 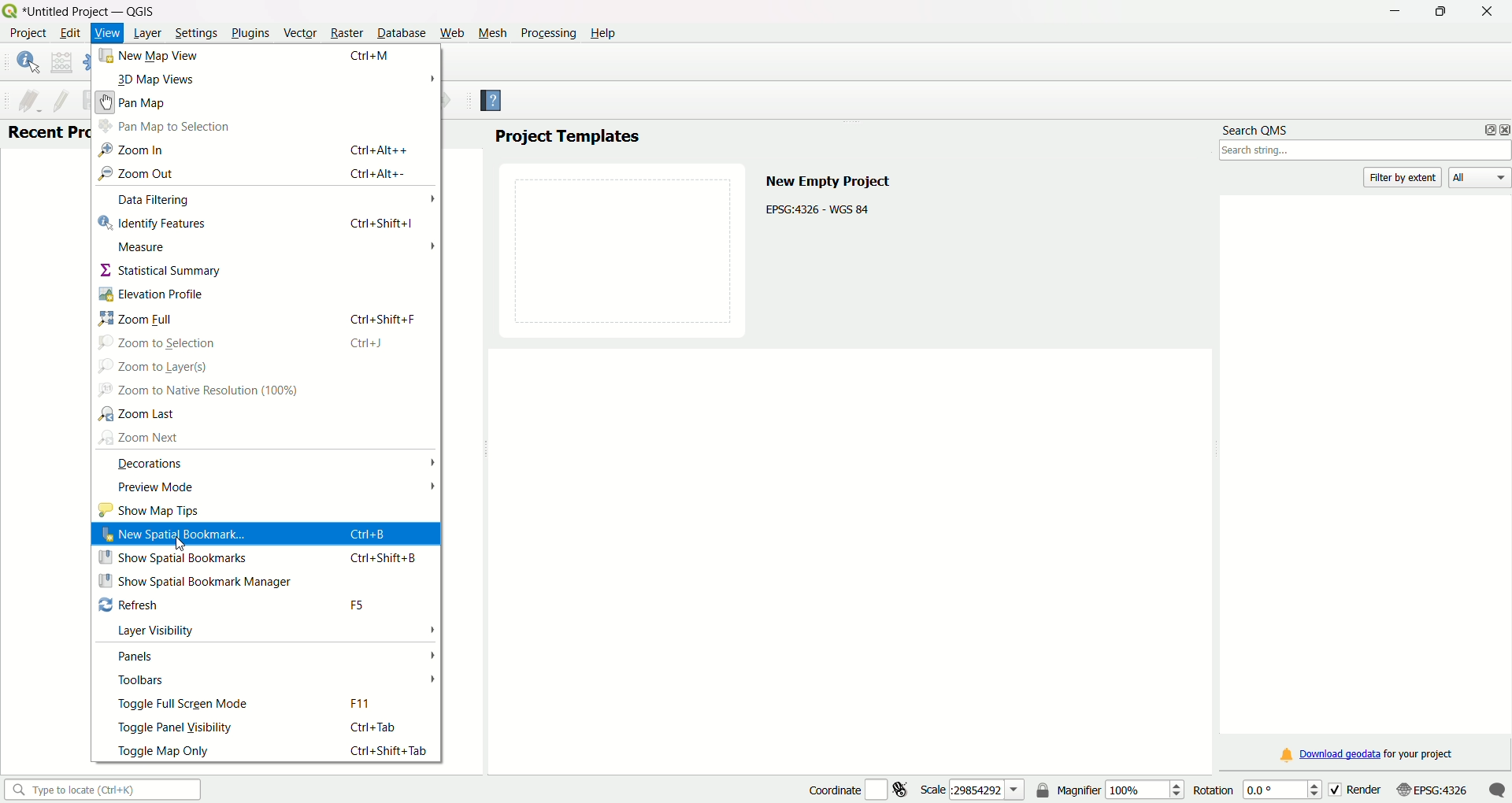 I want to click on all, so click(x=1480, y=179).